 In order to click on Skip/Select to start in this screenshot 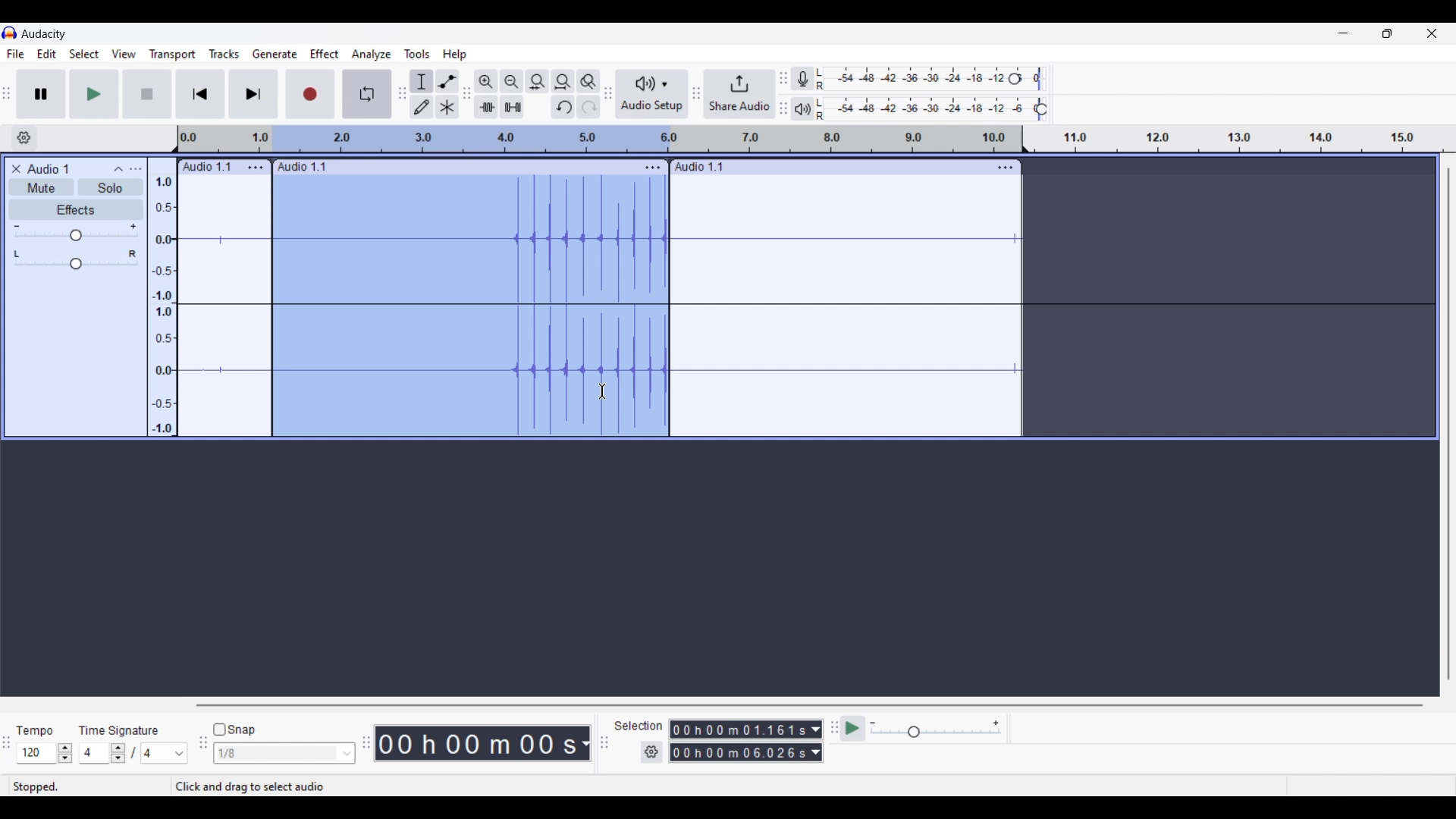, I will do `click(201, 93)`.